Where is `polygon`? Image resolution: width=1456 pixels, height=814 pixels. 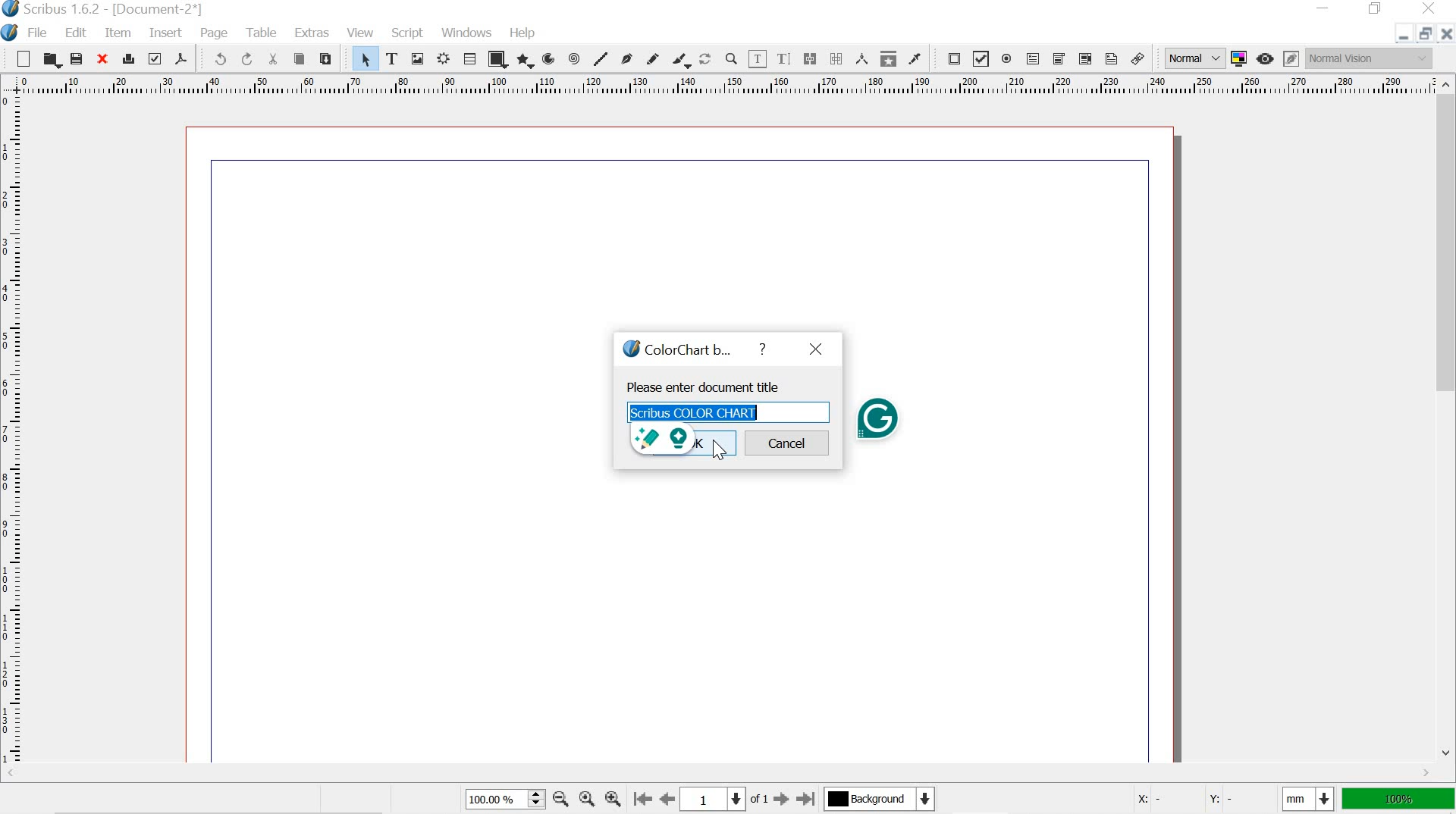 polygon is located at coordinates (526, 61).